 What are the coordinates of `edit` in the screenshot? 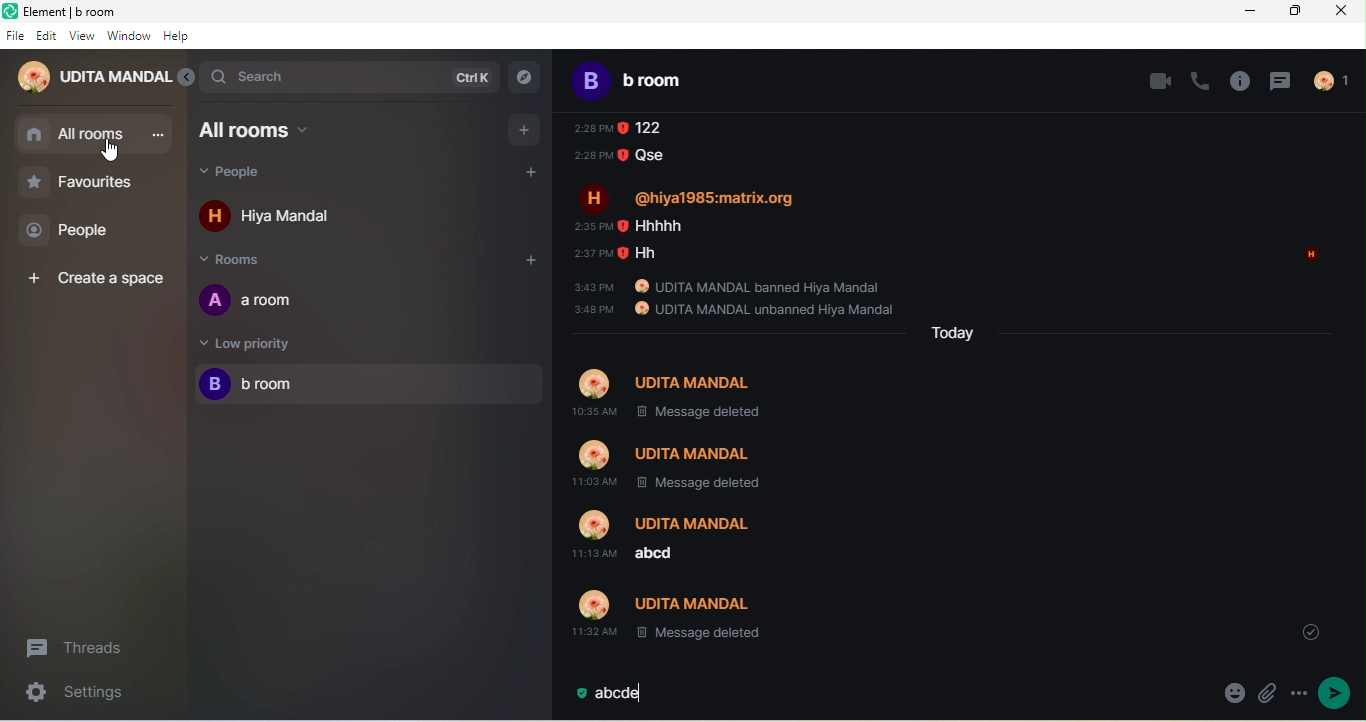 It's located at (48, 36).